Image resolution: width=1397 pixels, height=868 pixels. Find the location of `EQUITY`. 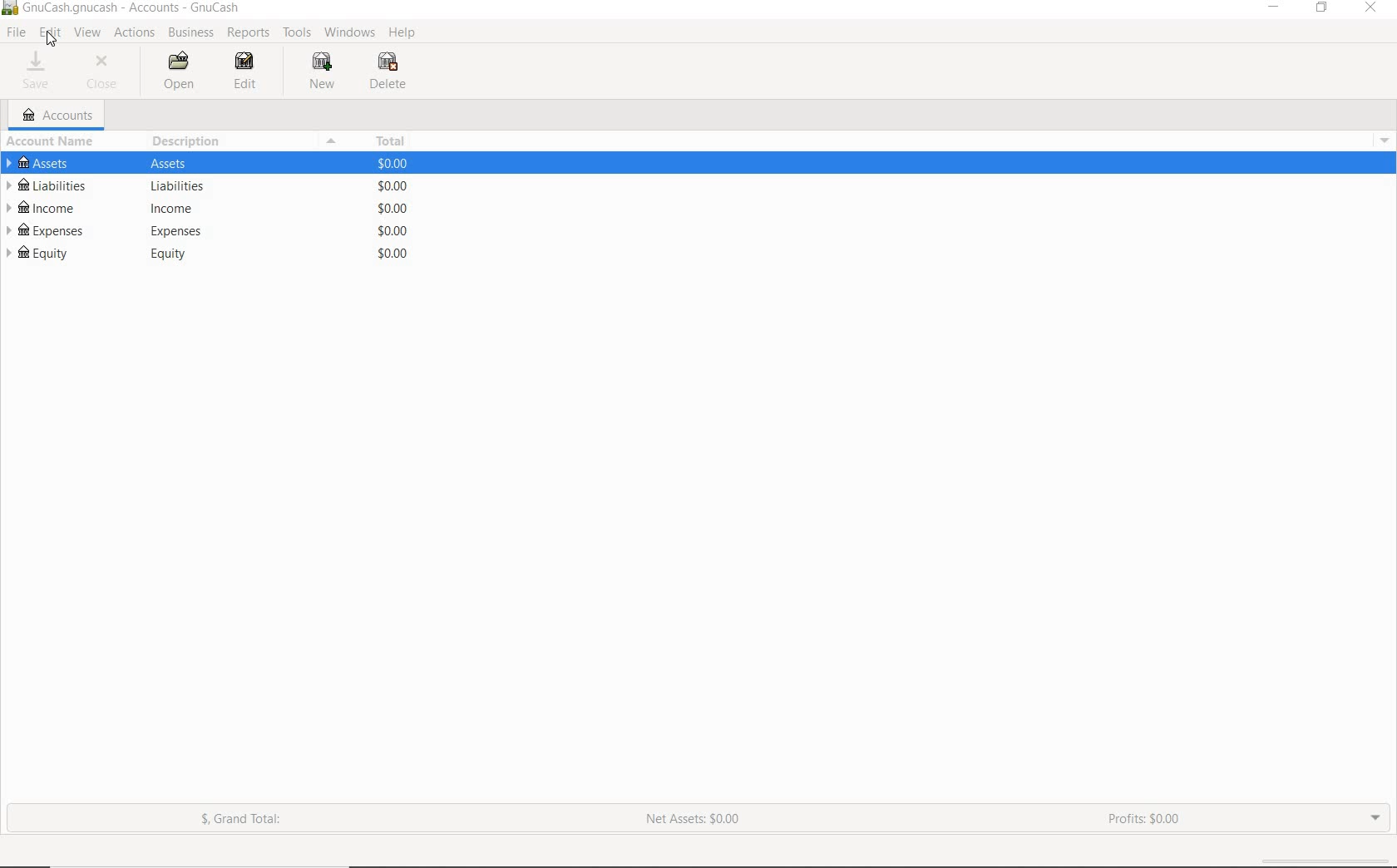

EQUITY is located at coordinates (205, 254).